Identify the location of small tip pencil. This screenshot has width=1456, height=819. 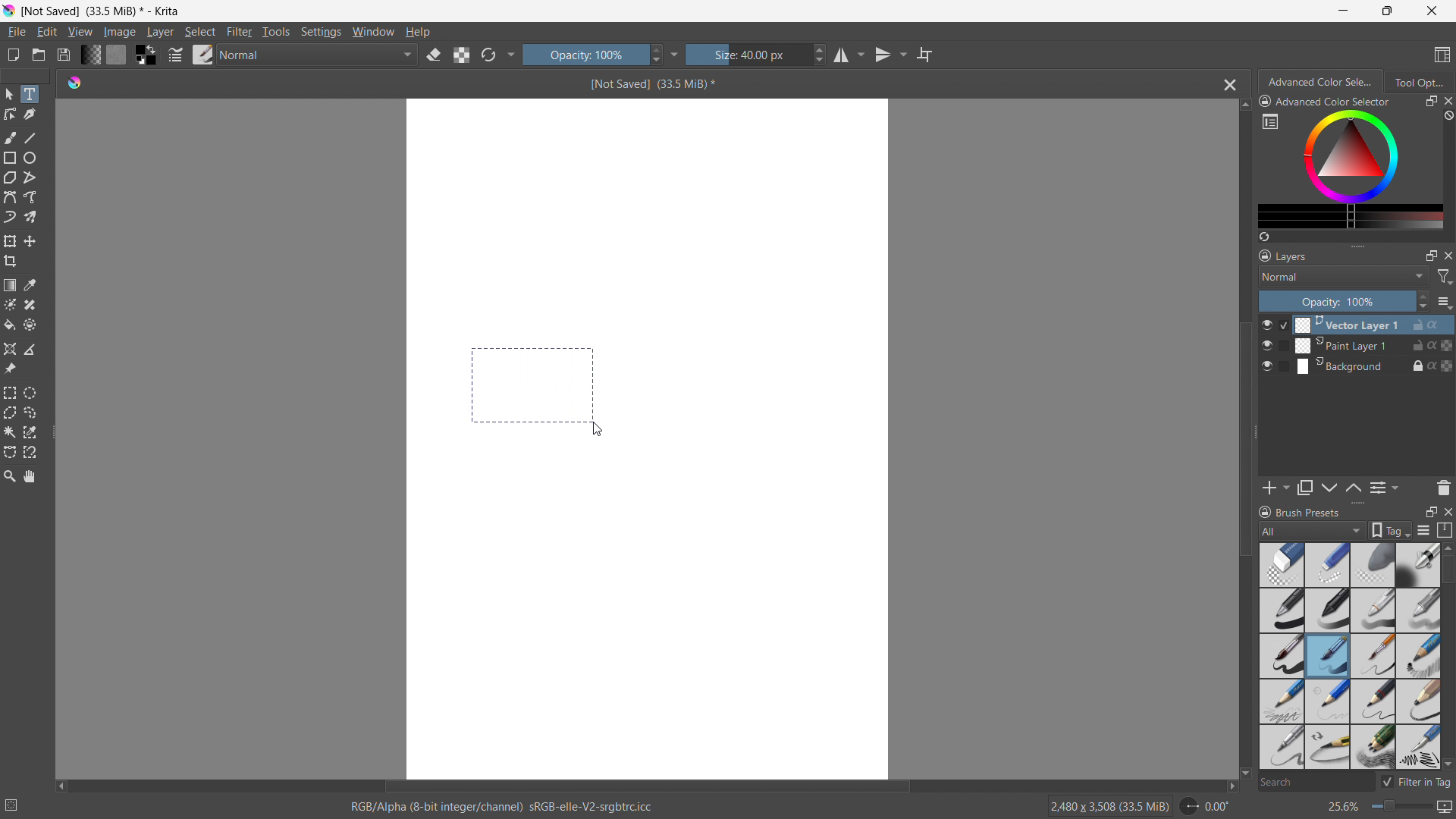
(1327, 748).